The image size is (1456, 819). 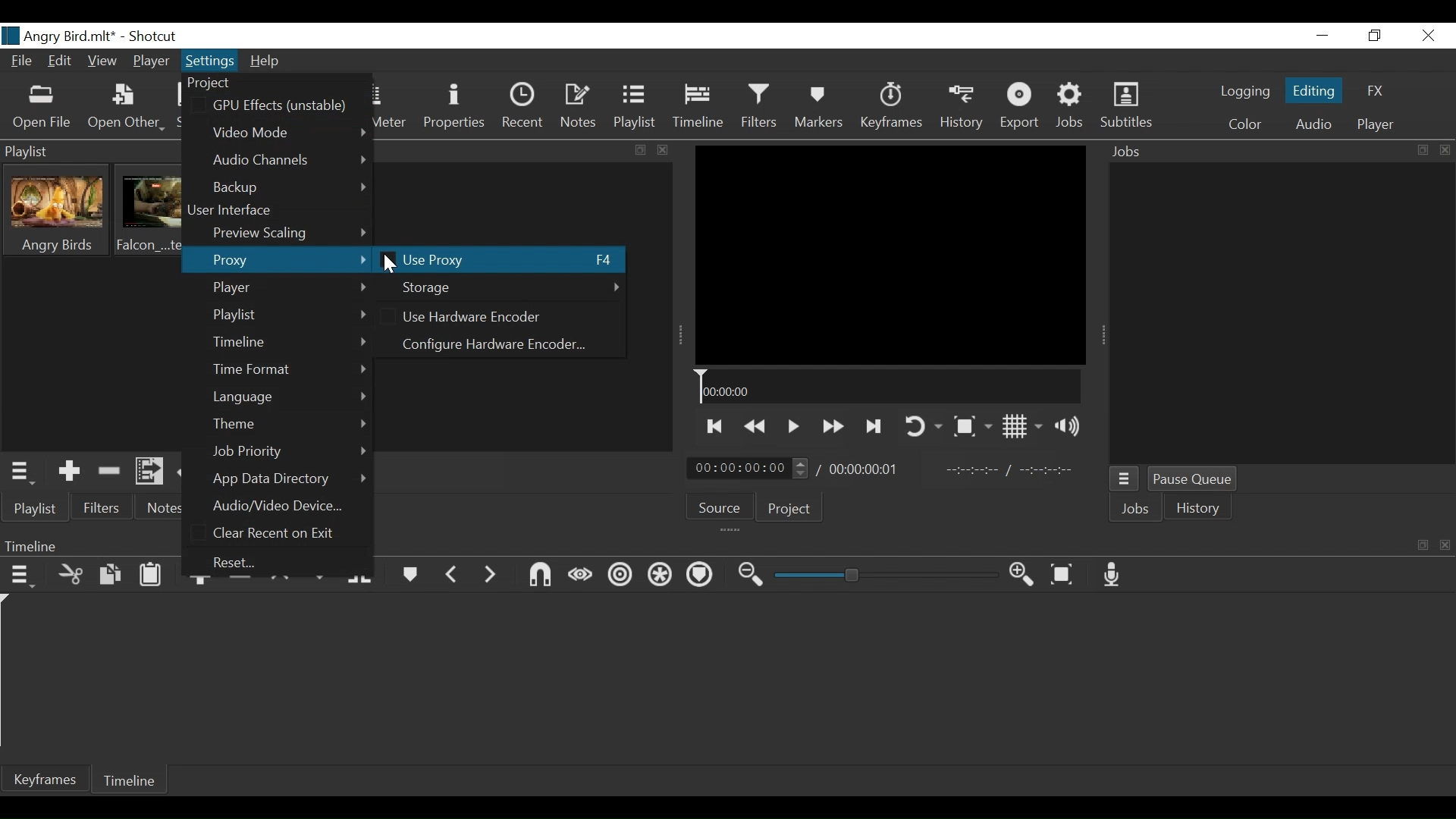 What do you see at coordinates (618, 575) in the screenshot?
I see `Ripple` at bounding box center [618, 575].